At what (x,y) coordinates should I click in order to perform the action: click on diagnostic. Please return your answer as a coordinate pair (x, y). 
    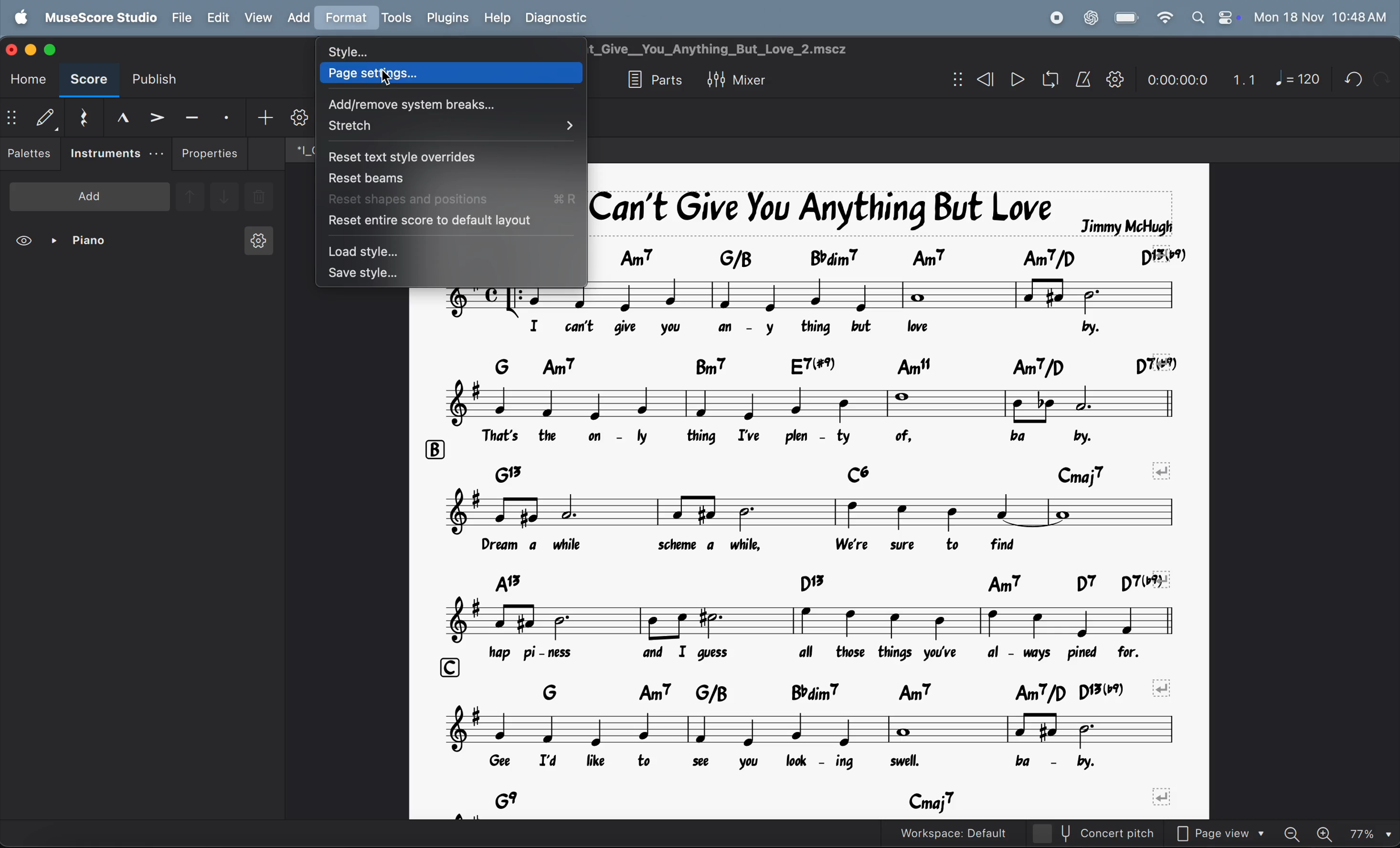
    Looking at the image, I should click on (563, 17).